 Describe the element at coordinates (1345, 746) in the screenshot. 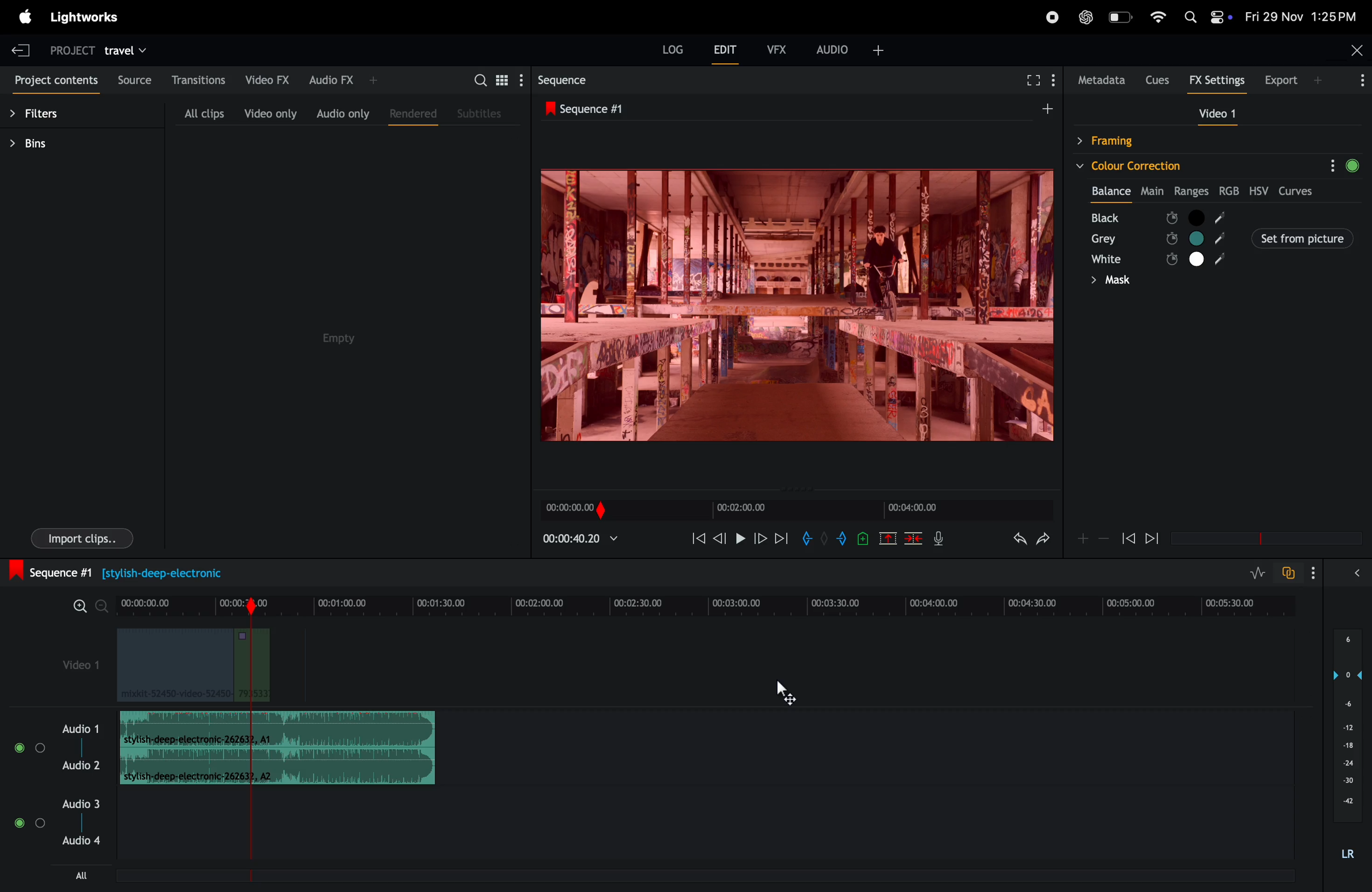

I see `audio pitch` at that location.